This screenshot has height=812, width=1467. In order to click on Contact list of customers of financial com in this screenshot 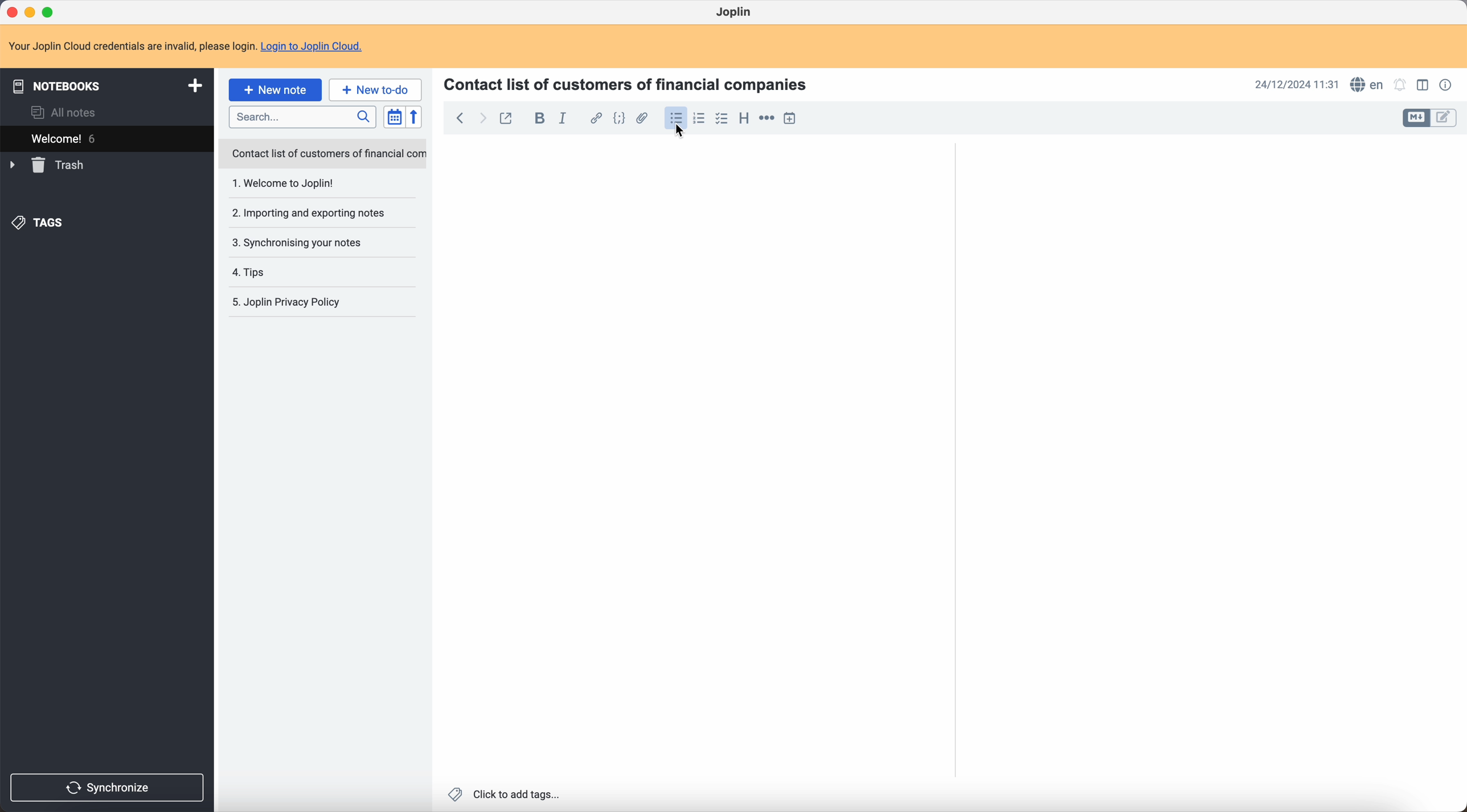, I will do `click(327, 154)`.